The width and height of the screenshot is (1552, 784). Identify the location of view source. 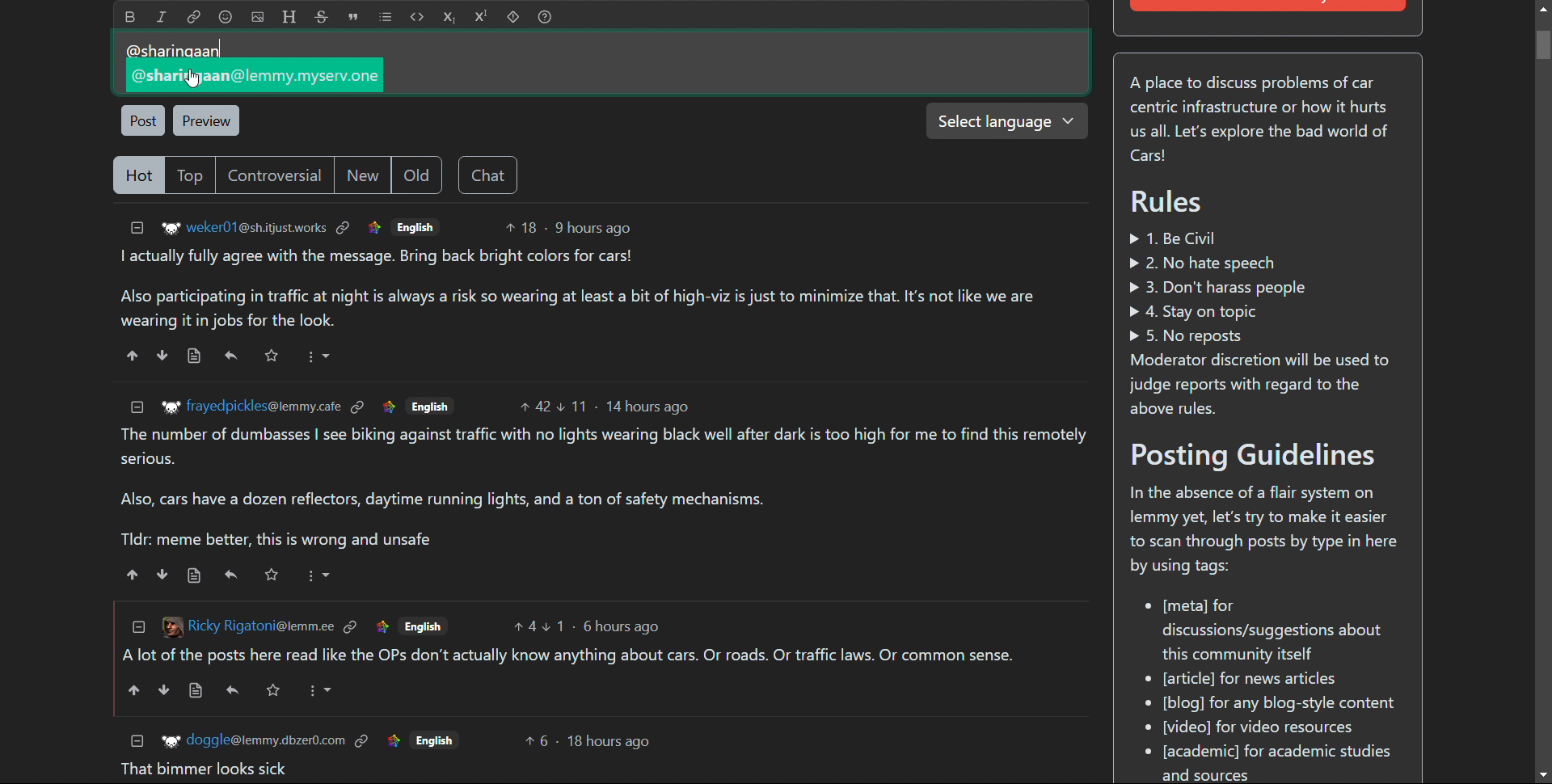
(196, 691).